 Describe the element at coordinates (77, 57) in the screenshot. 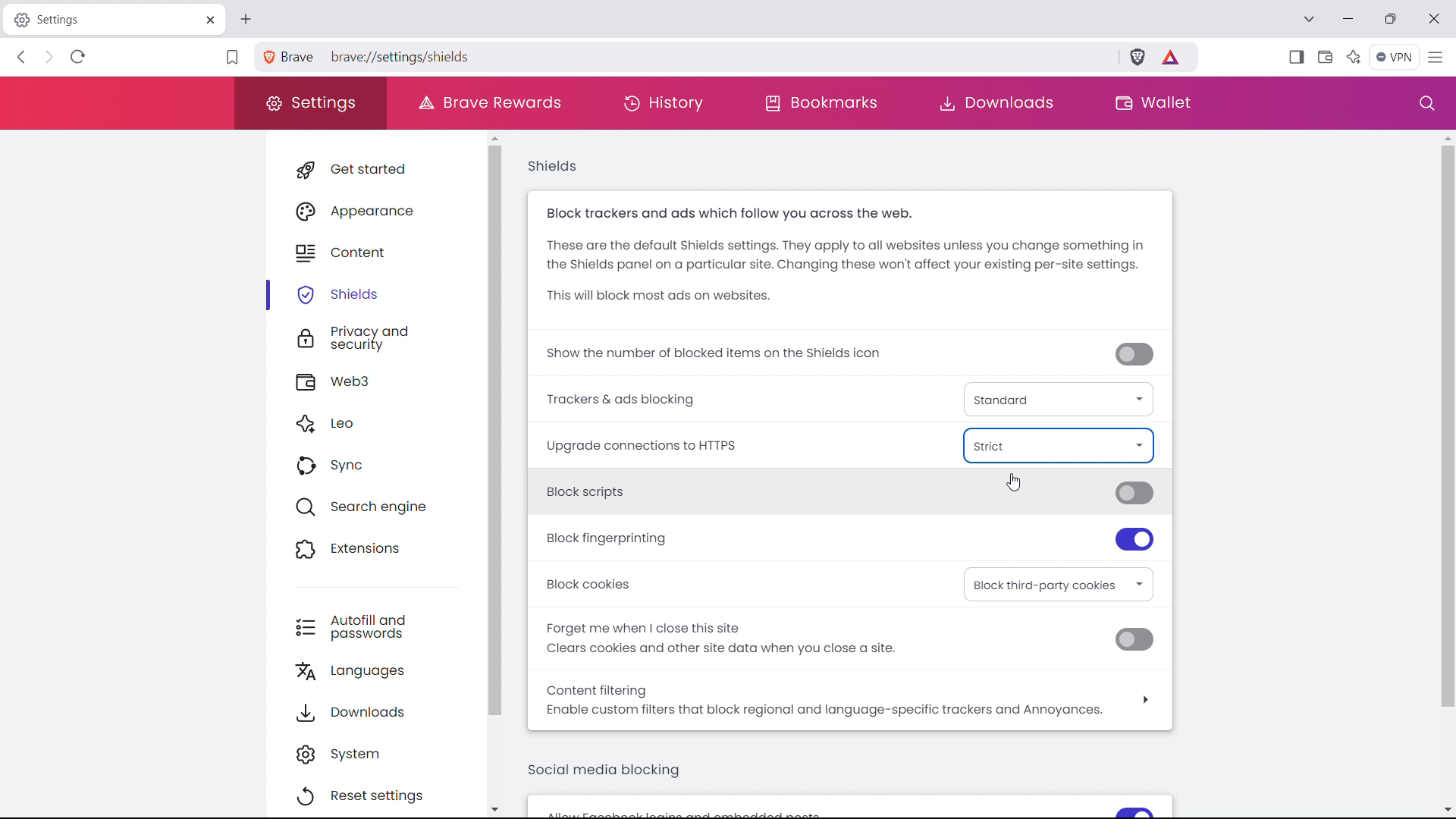

I see `refrsh this page` at that location.